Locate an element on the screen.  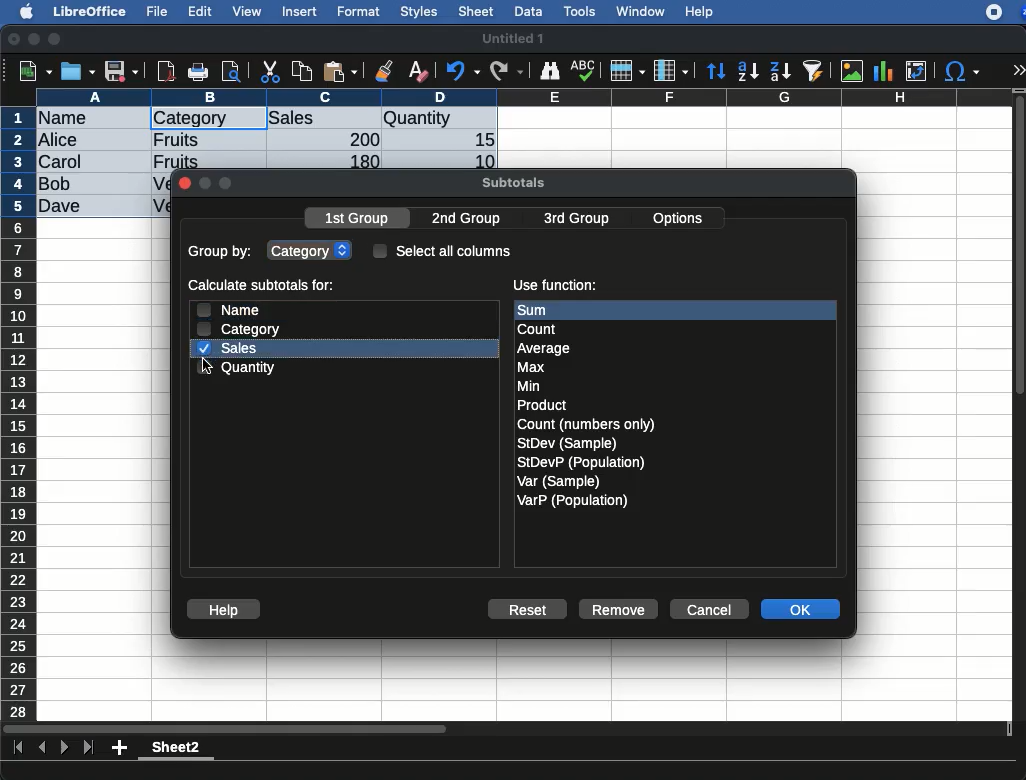
Average is located at coordinates (545, 348).